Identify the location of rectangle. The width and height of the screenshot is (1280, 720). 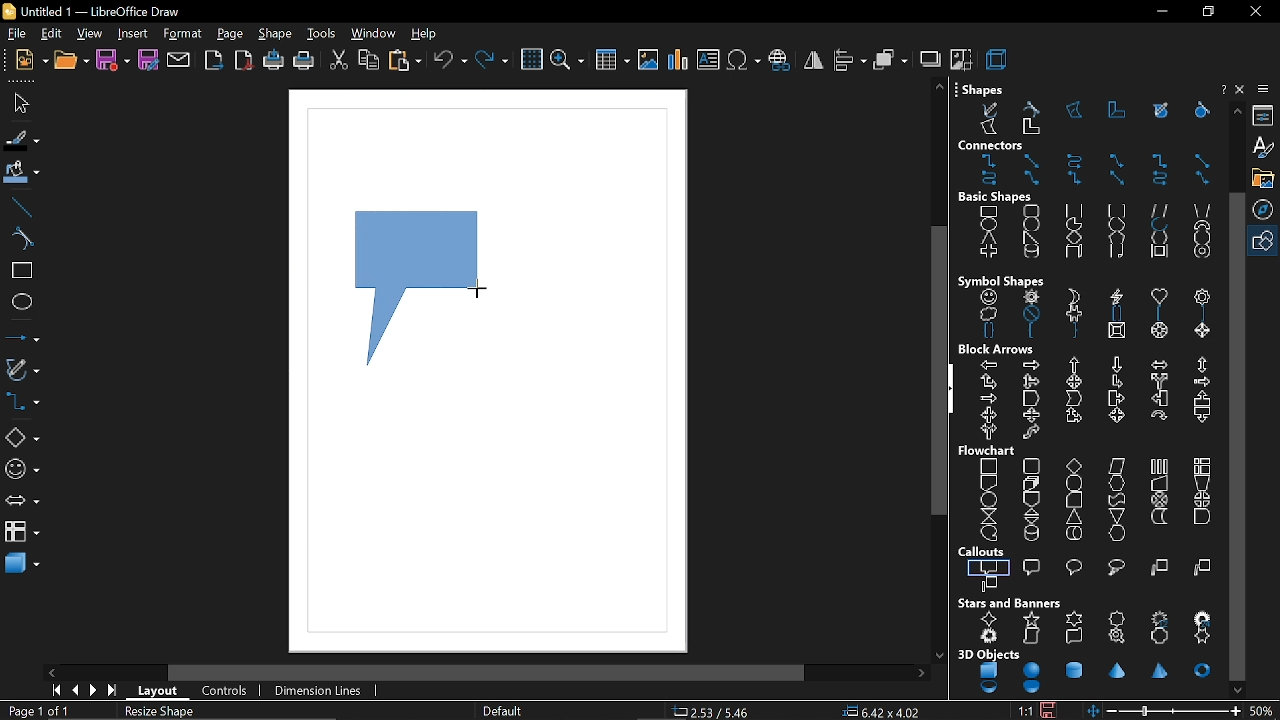
(989, 212).